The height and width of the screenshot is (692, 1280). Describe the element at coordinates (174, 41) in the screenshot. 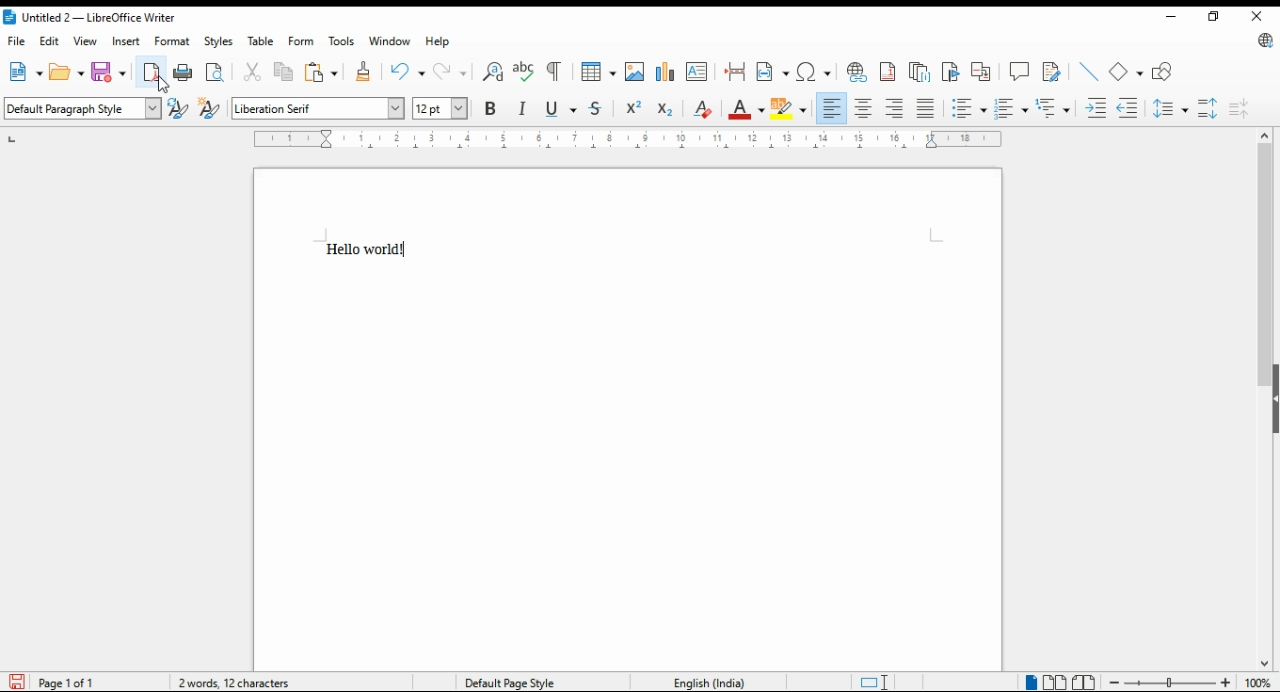

I see `format` at that location.